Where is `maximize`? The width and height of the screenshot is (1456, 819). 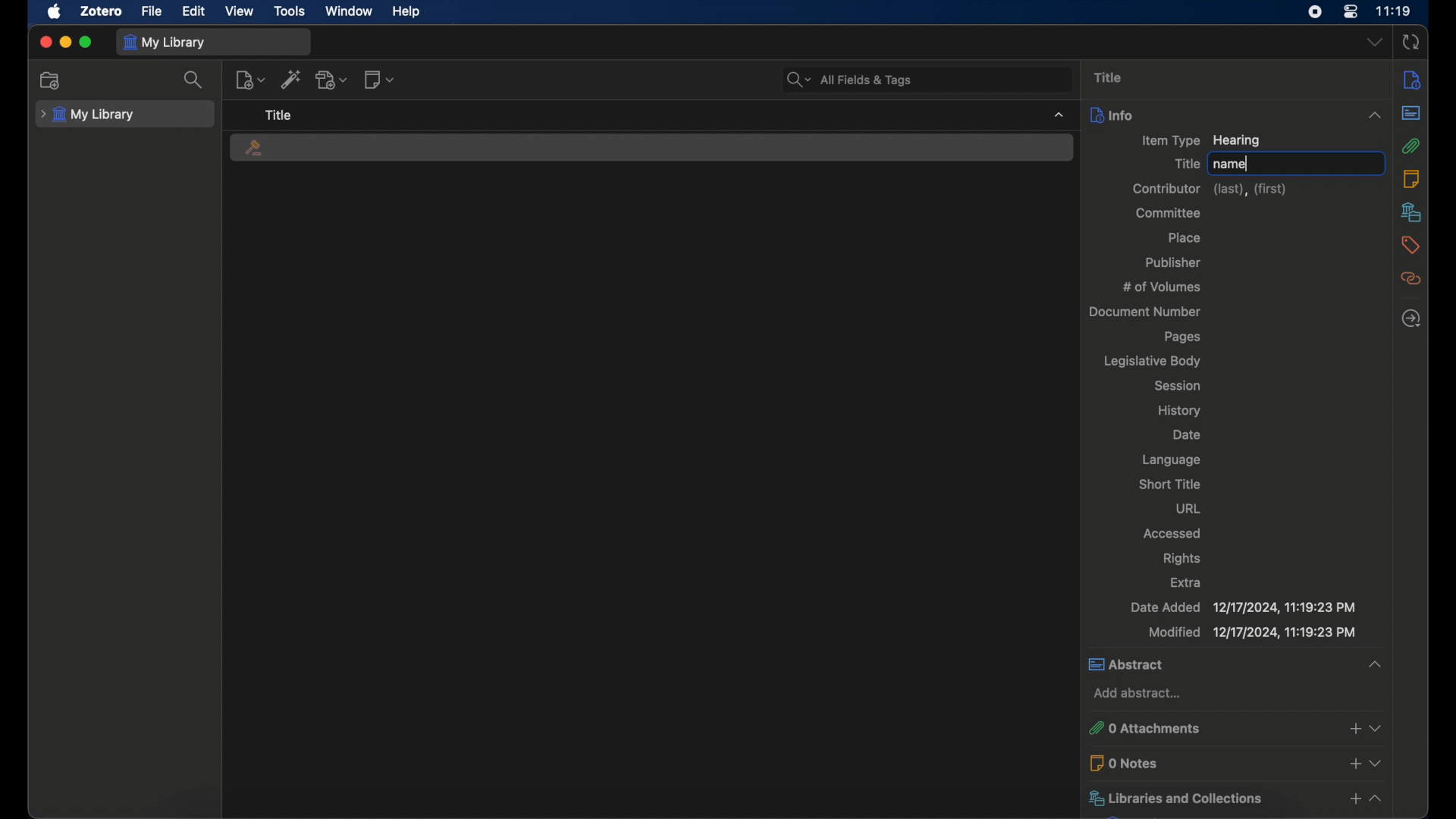
maximize is located at coordinates (86, 42).